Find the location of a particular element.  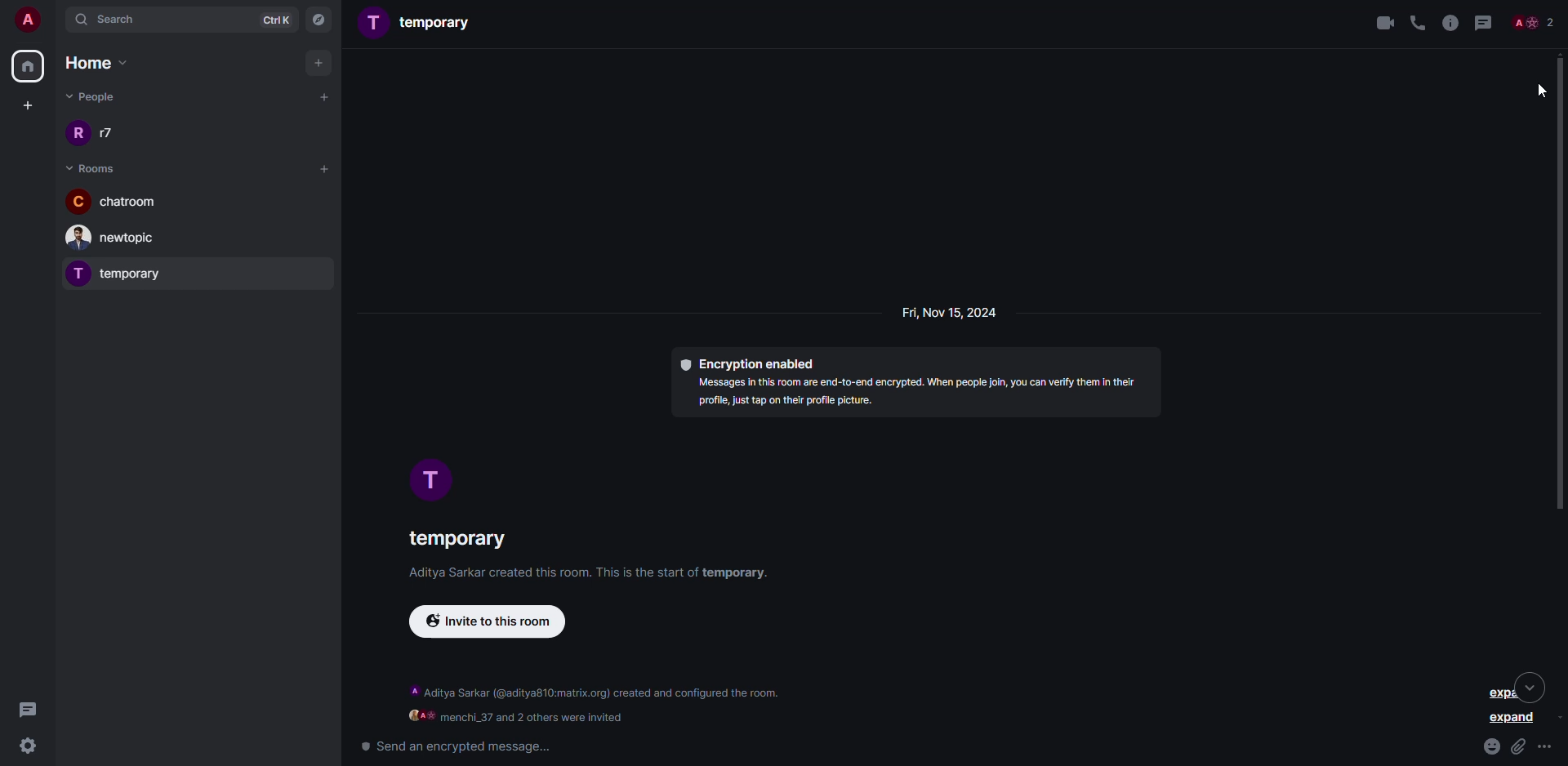

expand is located at coordinates (1513, 720).